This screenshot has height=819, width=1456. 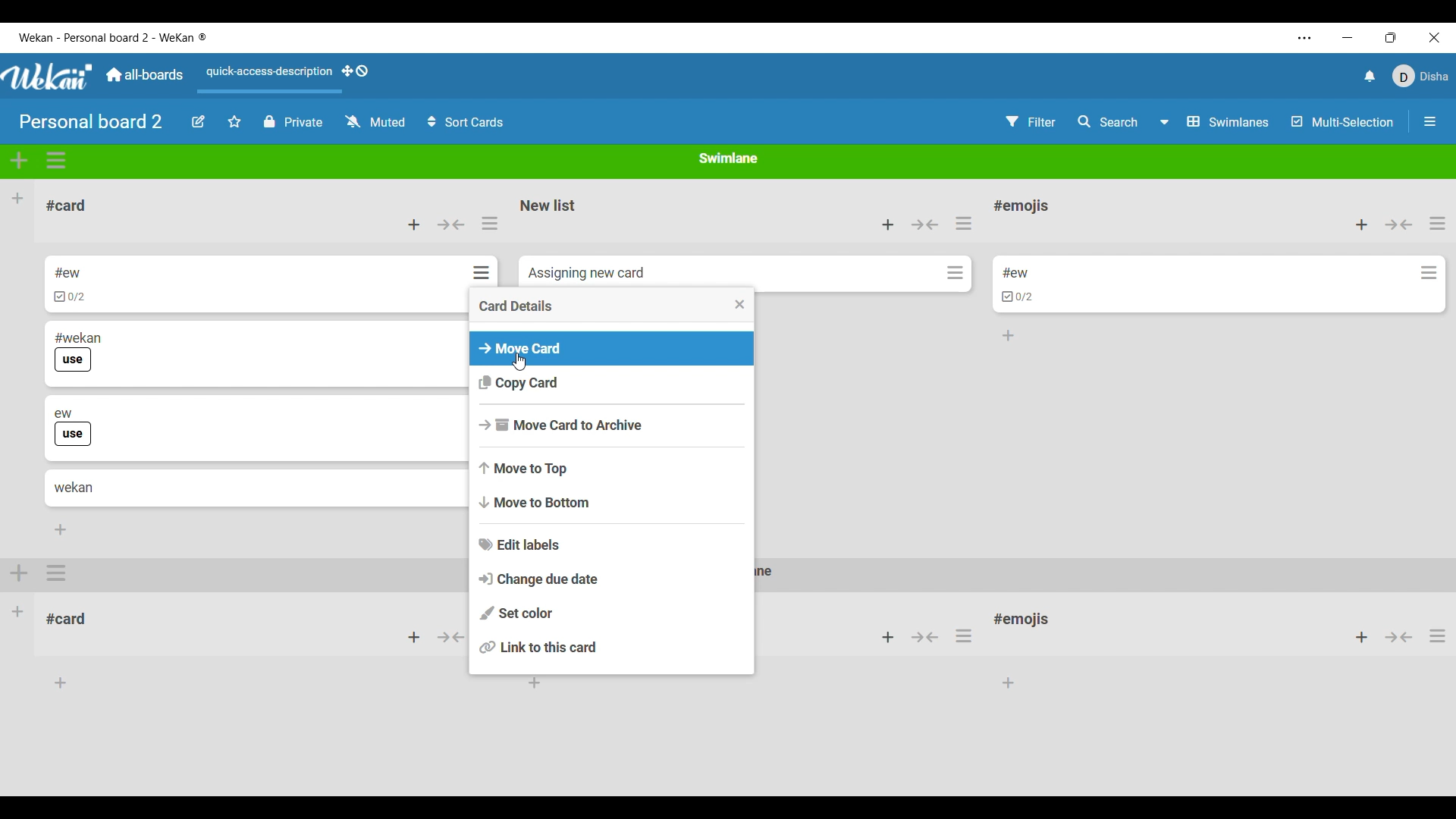 What do you see at coordinates (1215, 122) in the screenshot?
I see `Board view options` at bounding box center [1215, 122].